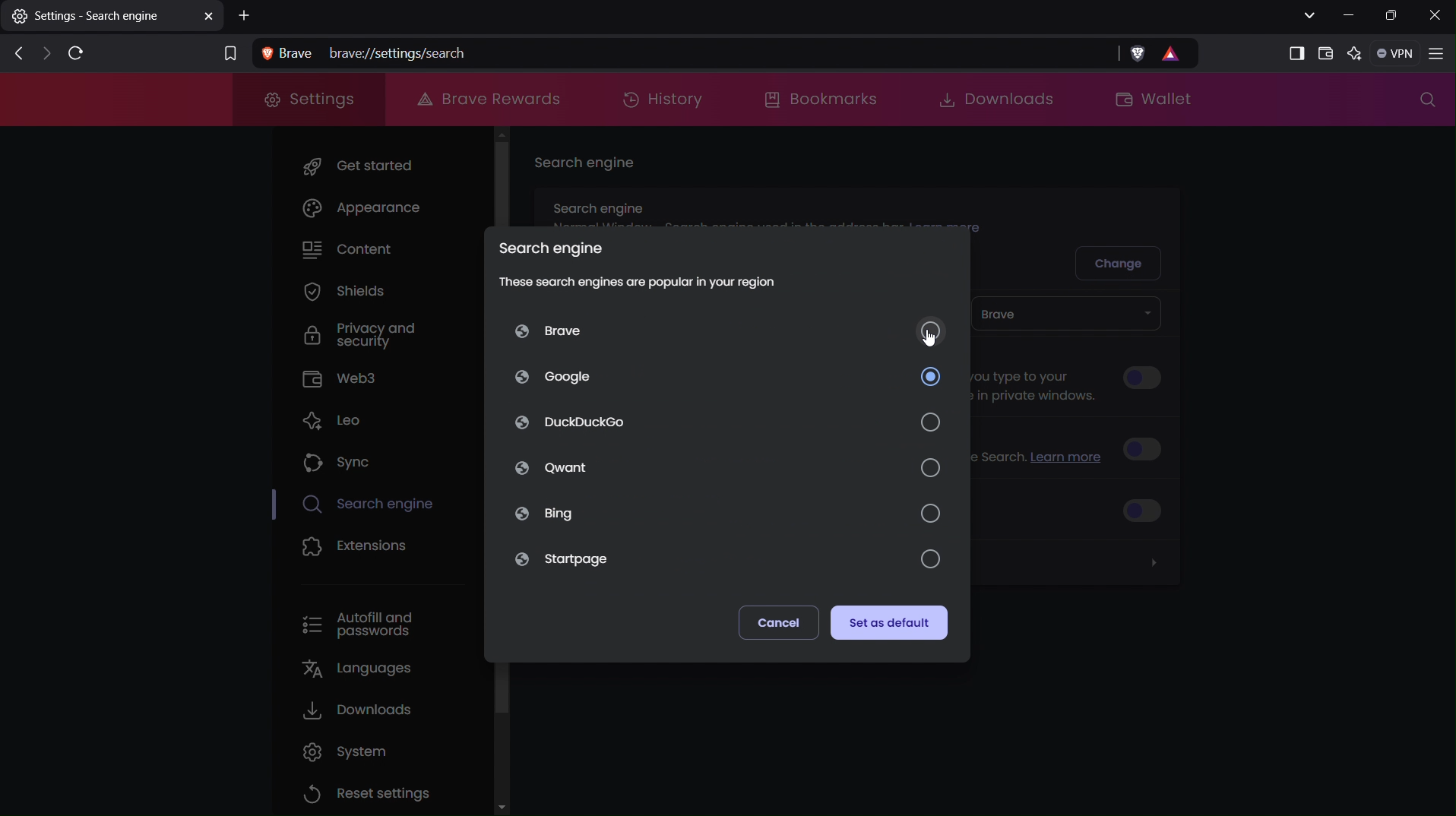 This screenshot has width=1456, height=816. Describe the element at coordinates (639, 281) in the screenshot. I see `These search engines are popular in your region` at that location.